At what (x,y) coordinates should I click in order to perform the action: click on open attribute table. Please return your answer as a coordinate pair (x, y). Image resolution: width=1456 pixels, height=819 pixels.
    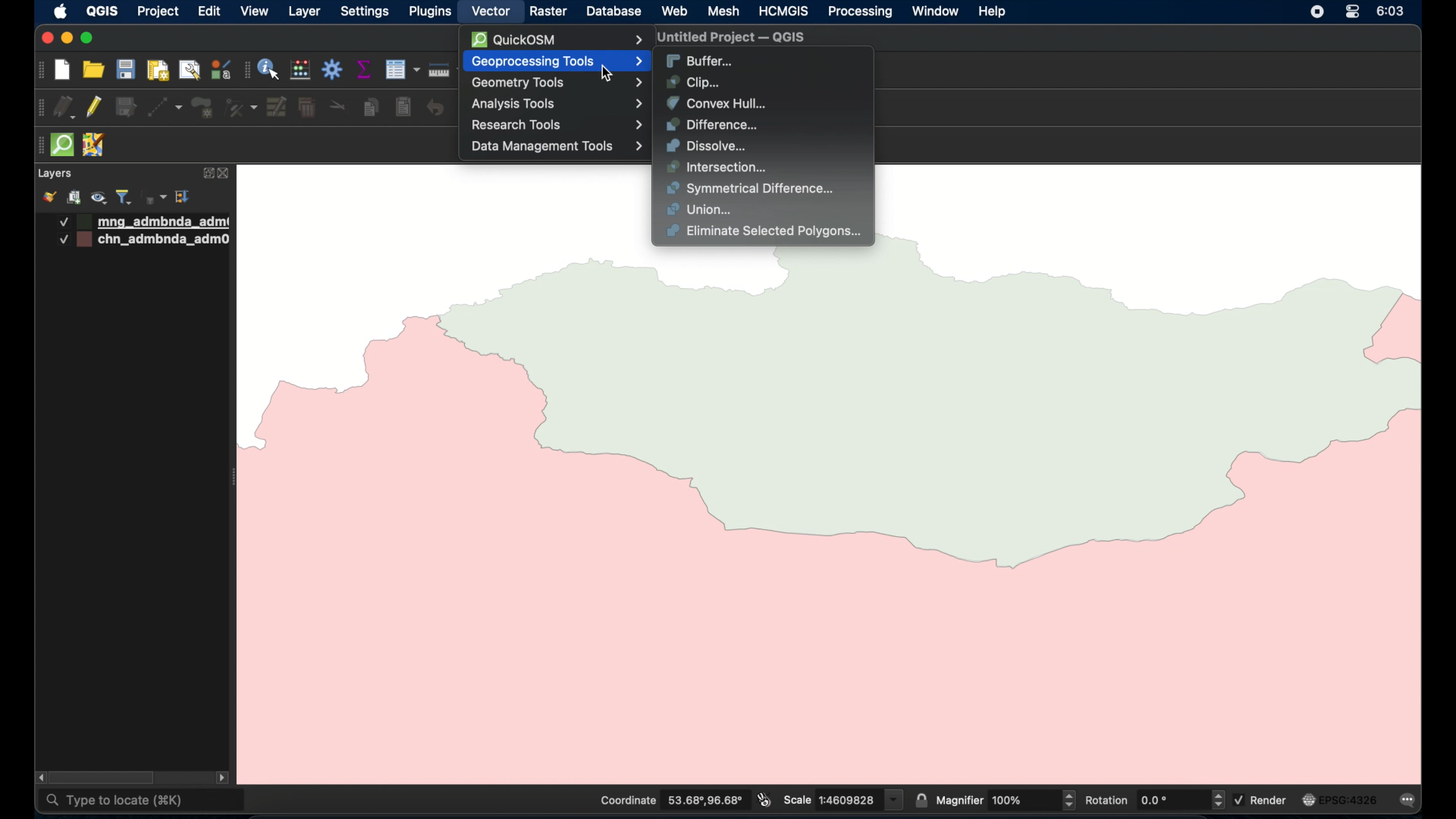
    Looking at the image, I should click on (402, 70).